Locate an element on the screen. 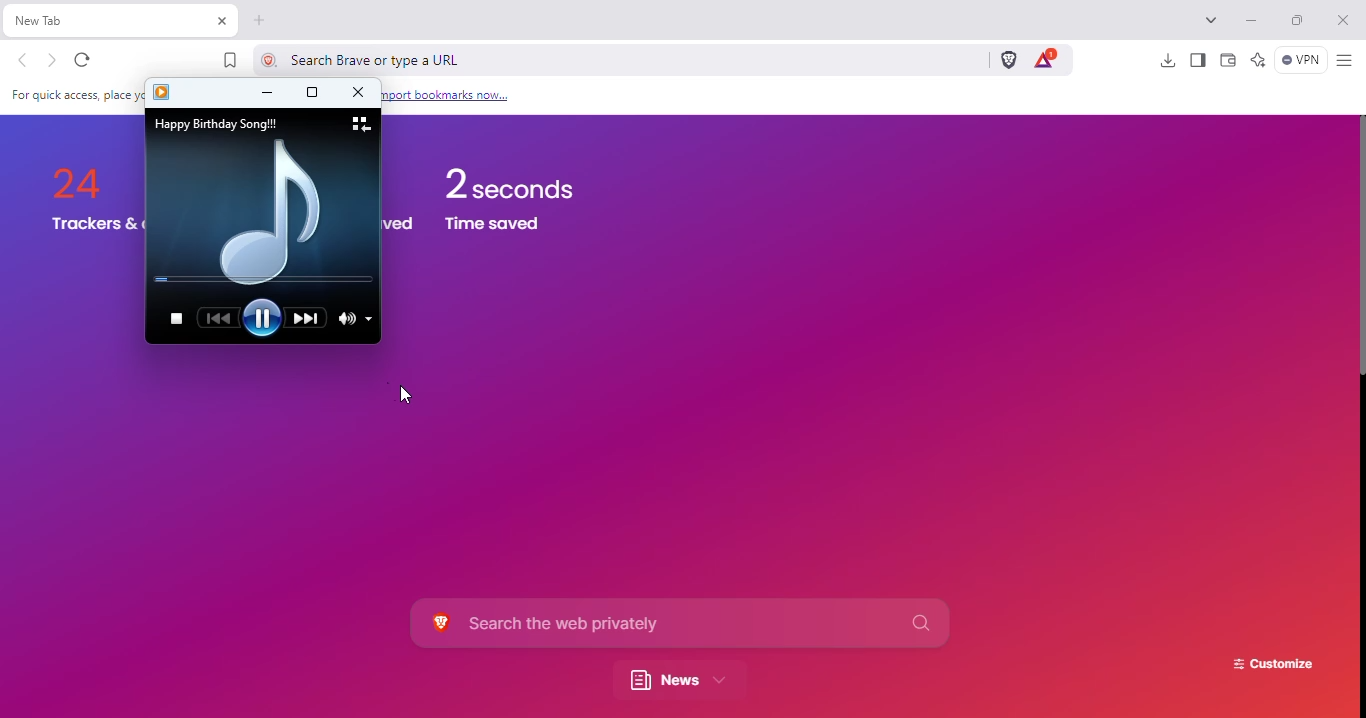 Image resolution: width=1366 pixels, height=718 pixels. press and hold to fast-forward is located at coordinates (307, 319).